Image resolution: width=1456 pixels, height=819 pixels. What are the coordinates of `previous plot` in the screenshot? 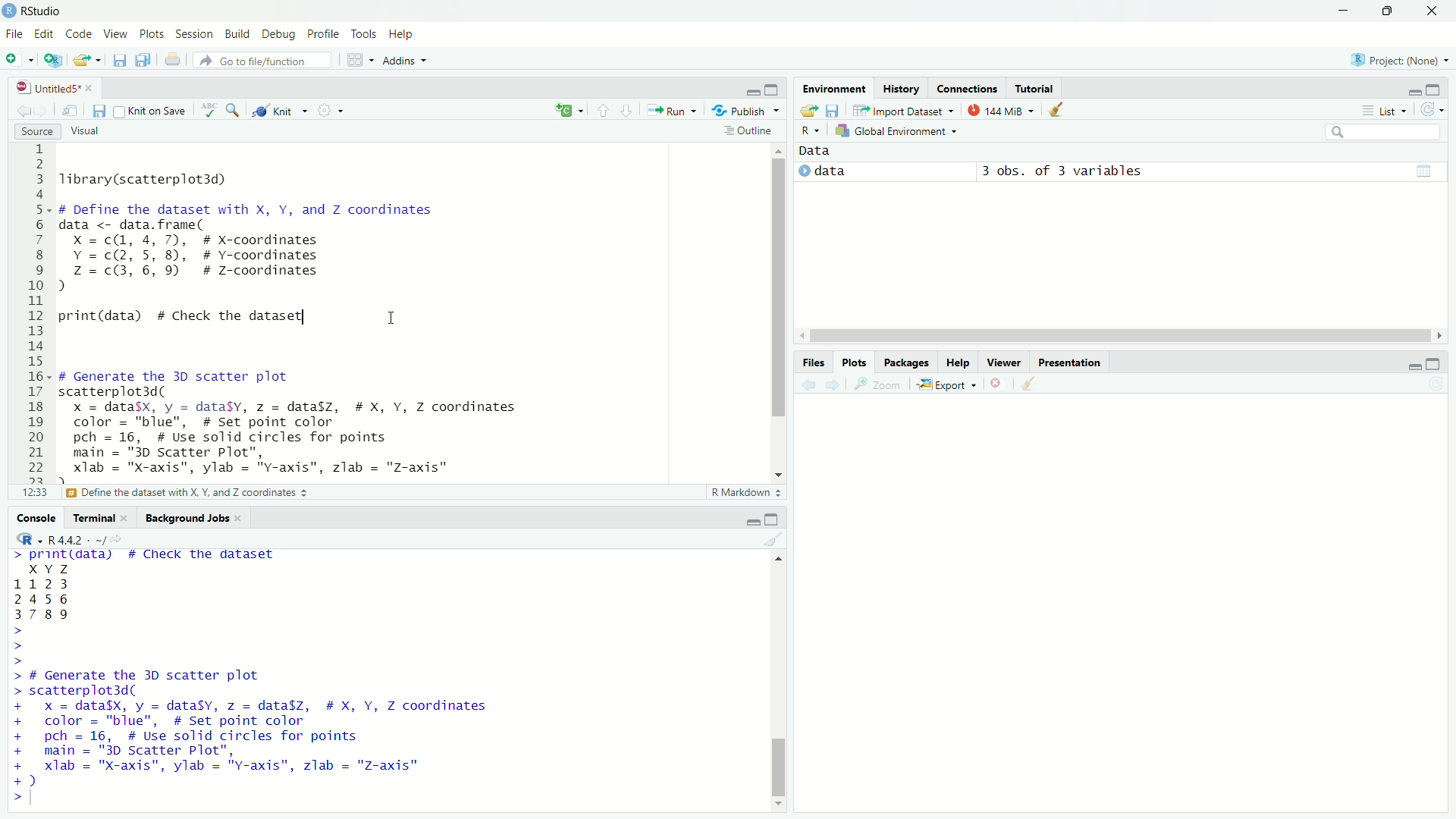 It's located at (805, 384).